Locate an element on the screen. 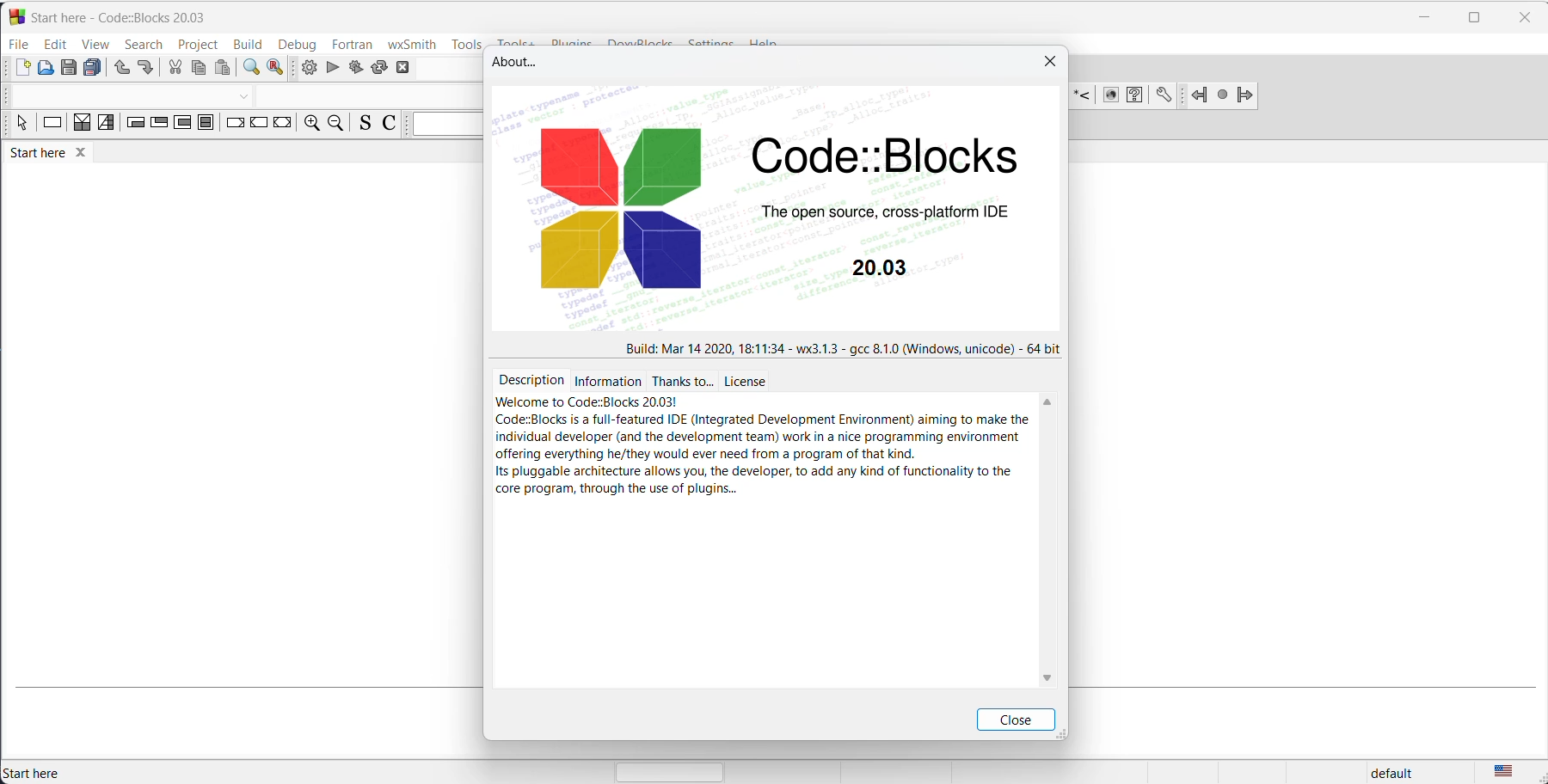  close is located at coordinates (1524, 17).